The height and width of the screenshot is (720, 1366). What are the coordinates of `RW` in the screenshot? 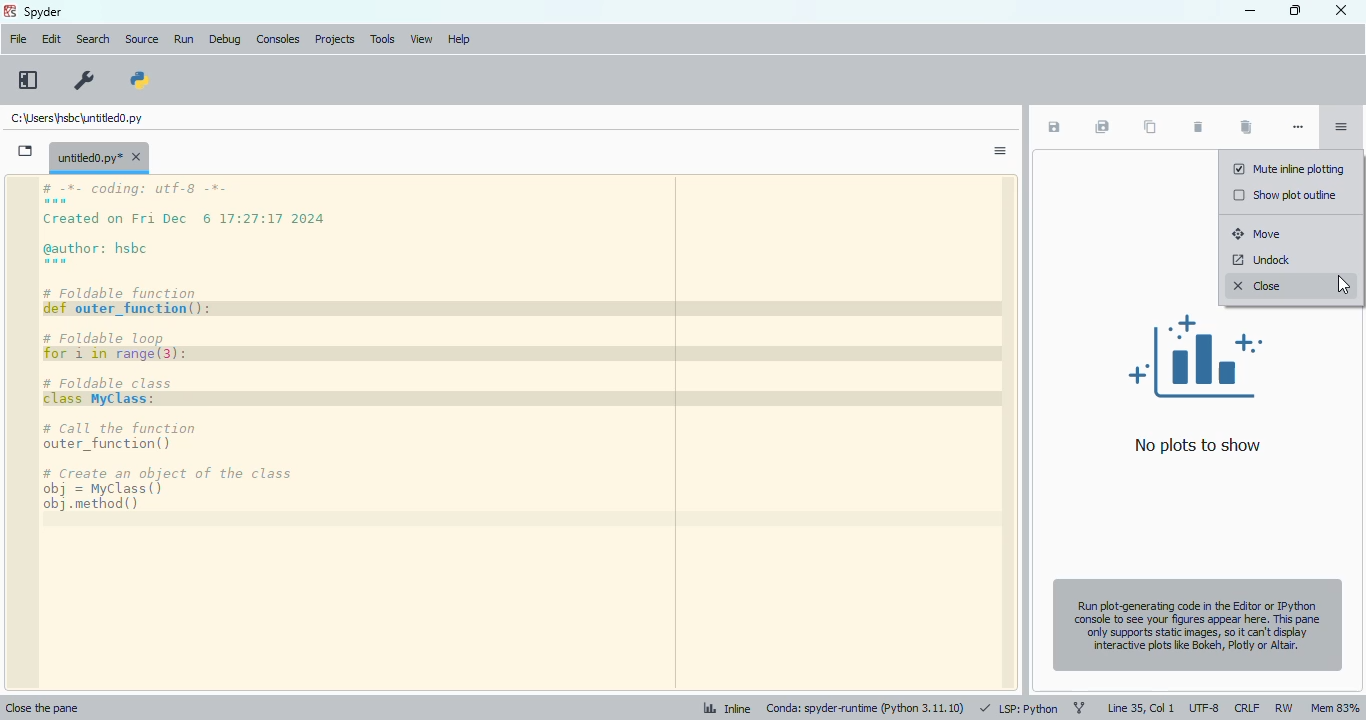 It's located at (1284, 707).